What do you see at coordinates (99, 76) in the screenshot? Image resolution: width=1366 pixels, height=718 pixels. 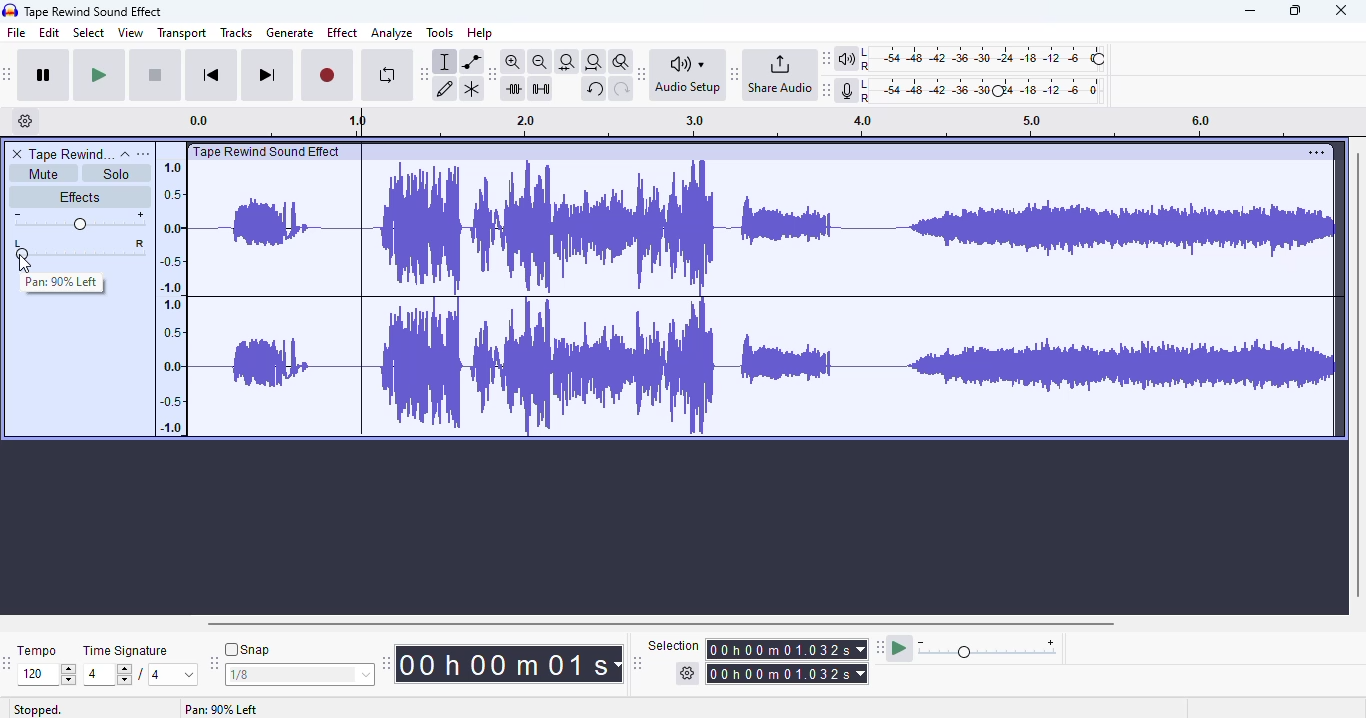 I see `play` at bounding box center [99, 76].